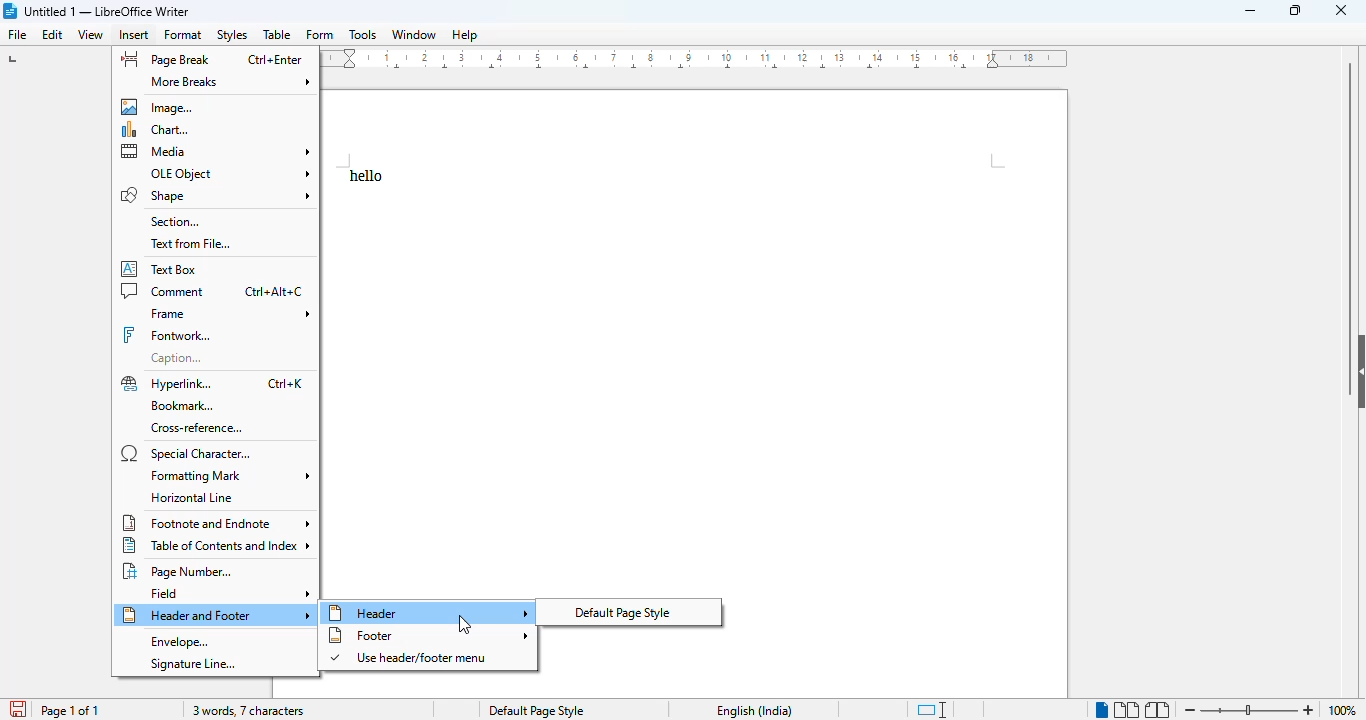  Describe the element at coordinates (233, 35) in the screenshot. I see `styles` at that location.